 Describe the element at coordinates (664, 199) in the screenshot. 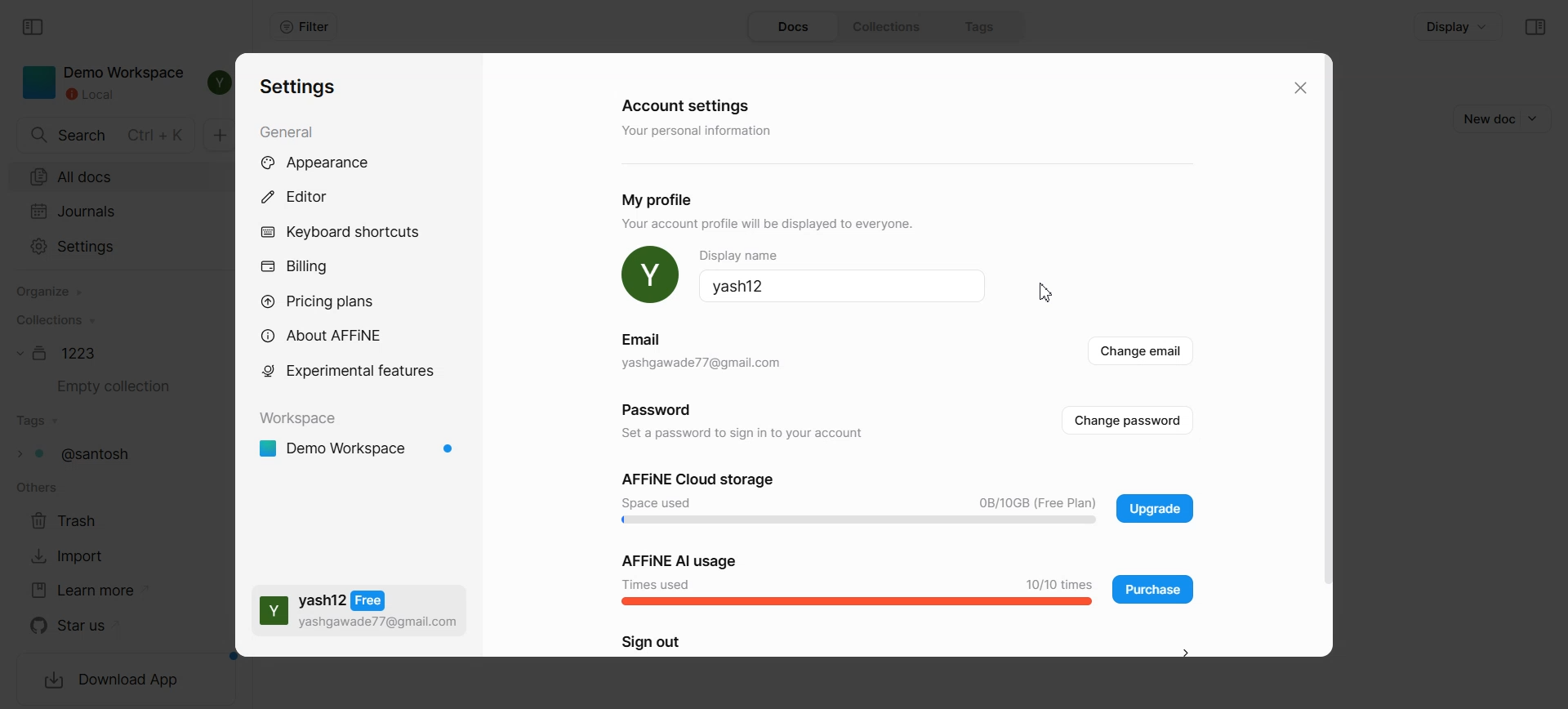

I see `My profile` at that location.